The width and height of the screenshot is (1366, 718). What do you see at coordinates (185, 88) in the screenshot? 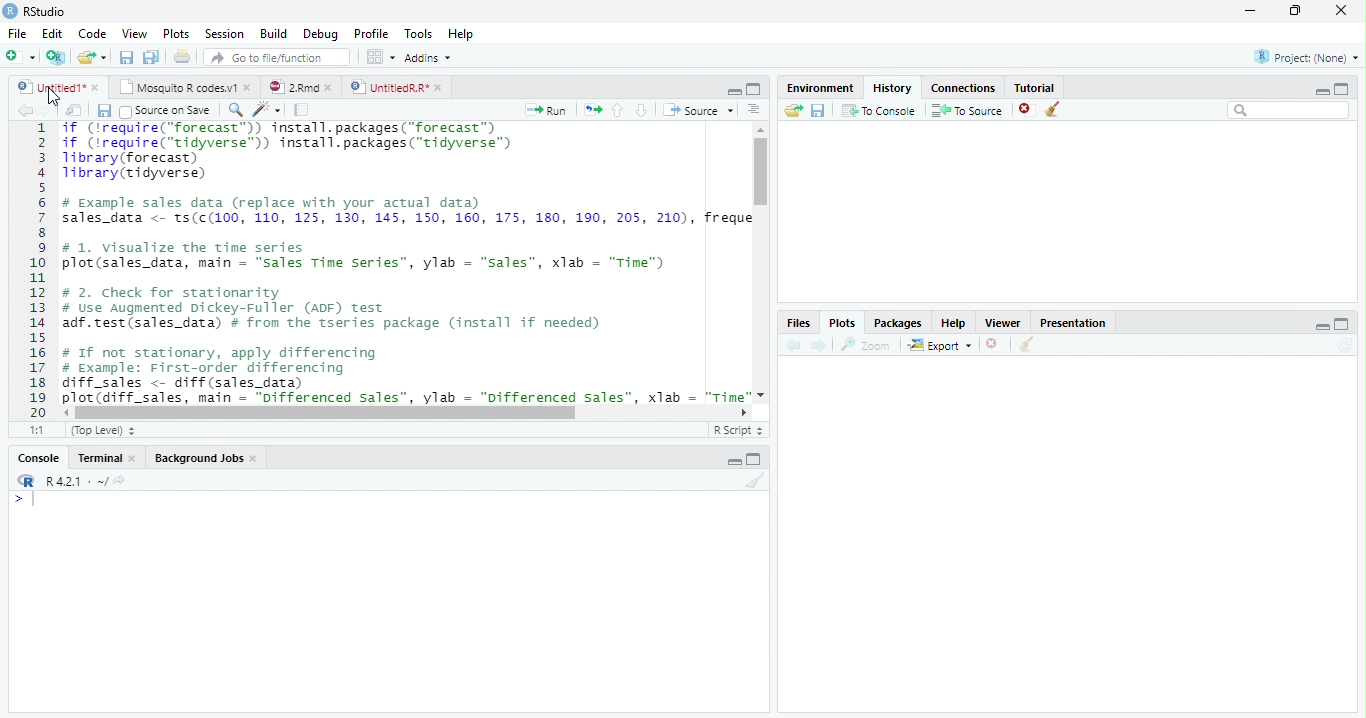
I see `Mosquito R Codes.v1` at bounding box center [185, 88].